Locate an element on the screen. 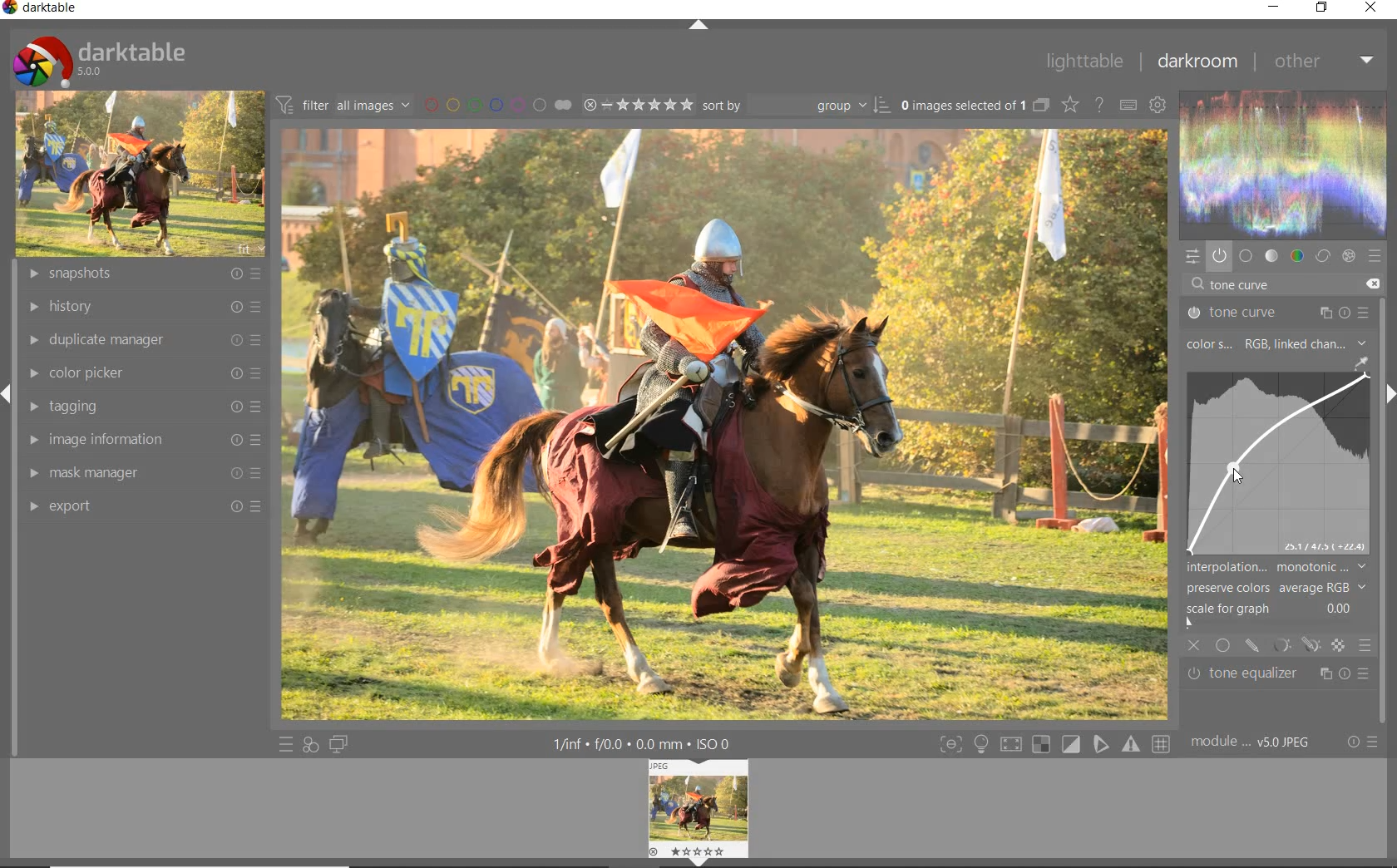  restore is located at coordinates (1322, 7).